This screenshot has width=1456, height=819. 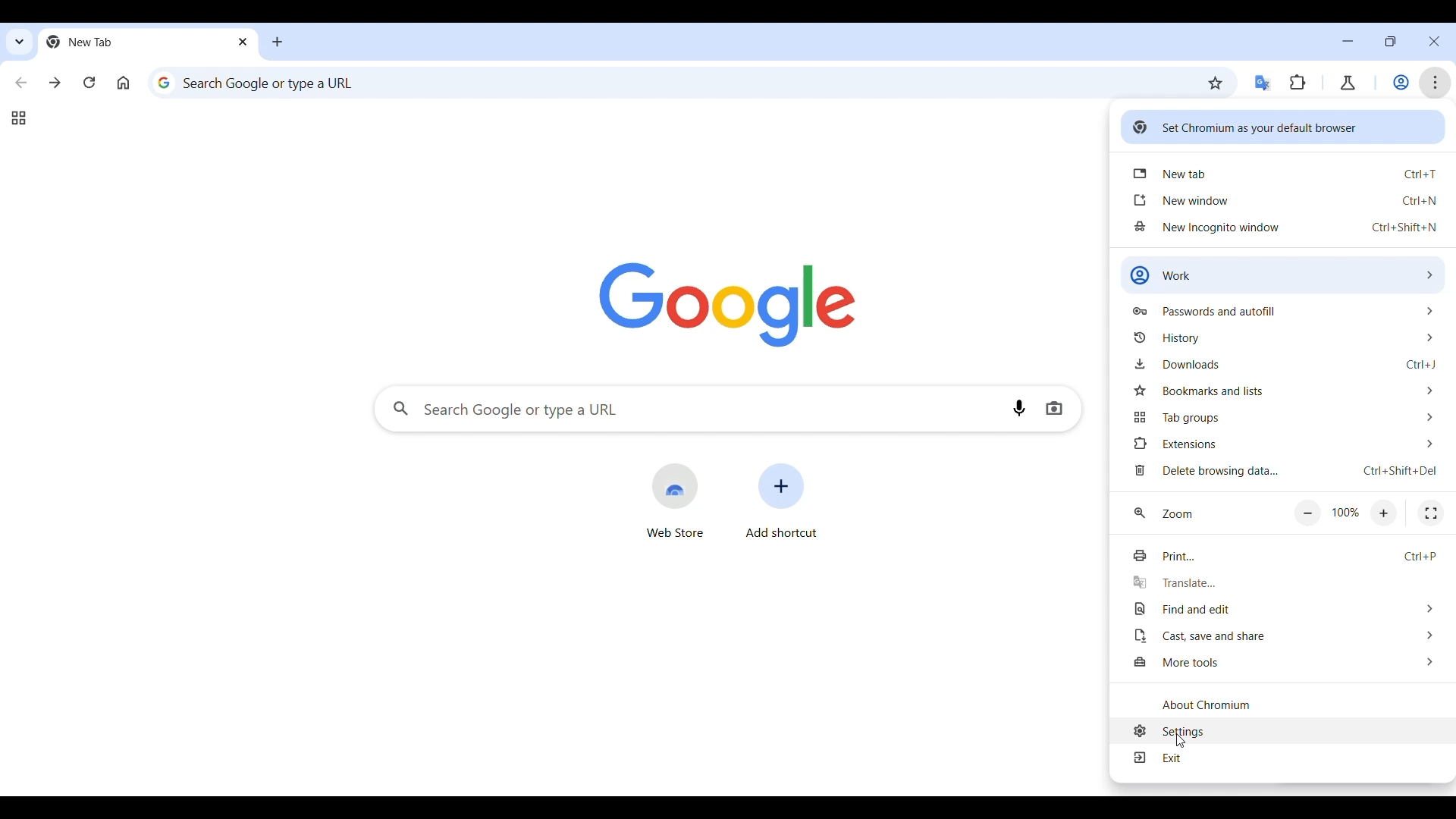 I want to click on Extension options, so click(x=1283, y=443).